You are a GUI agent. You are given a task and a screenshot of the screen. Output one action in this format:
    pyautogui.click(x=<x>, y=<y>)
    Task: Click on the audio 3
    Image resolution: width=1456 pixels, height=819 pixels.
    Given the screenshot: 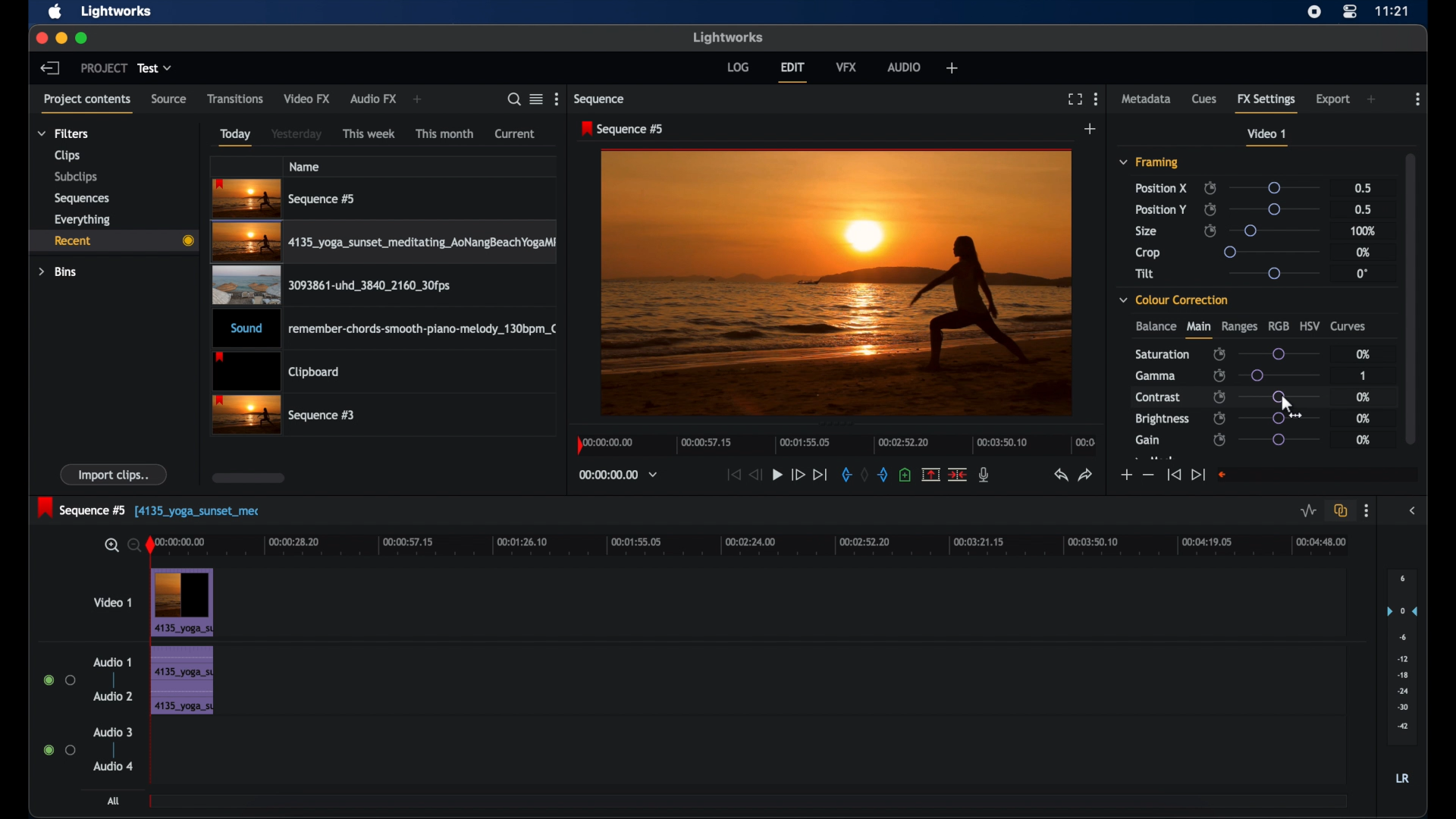 What is the action you would take?
    pyautogui.click(x=114, y=733)
    